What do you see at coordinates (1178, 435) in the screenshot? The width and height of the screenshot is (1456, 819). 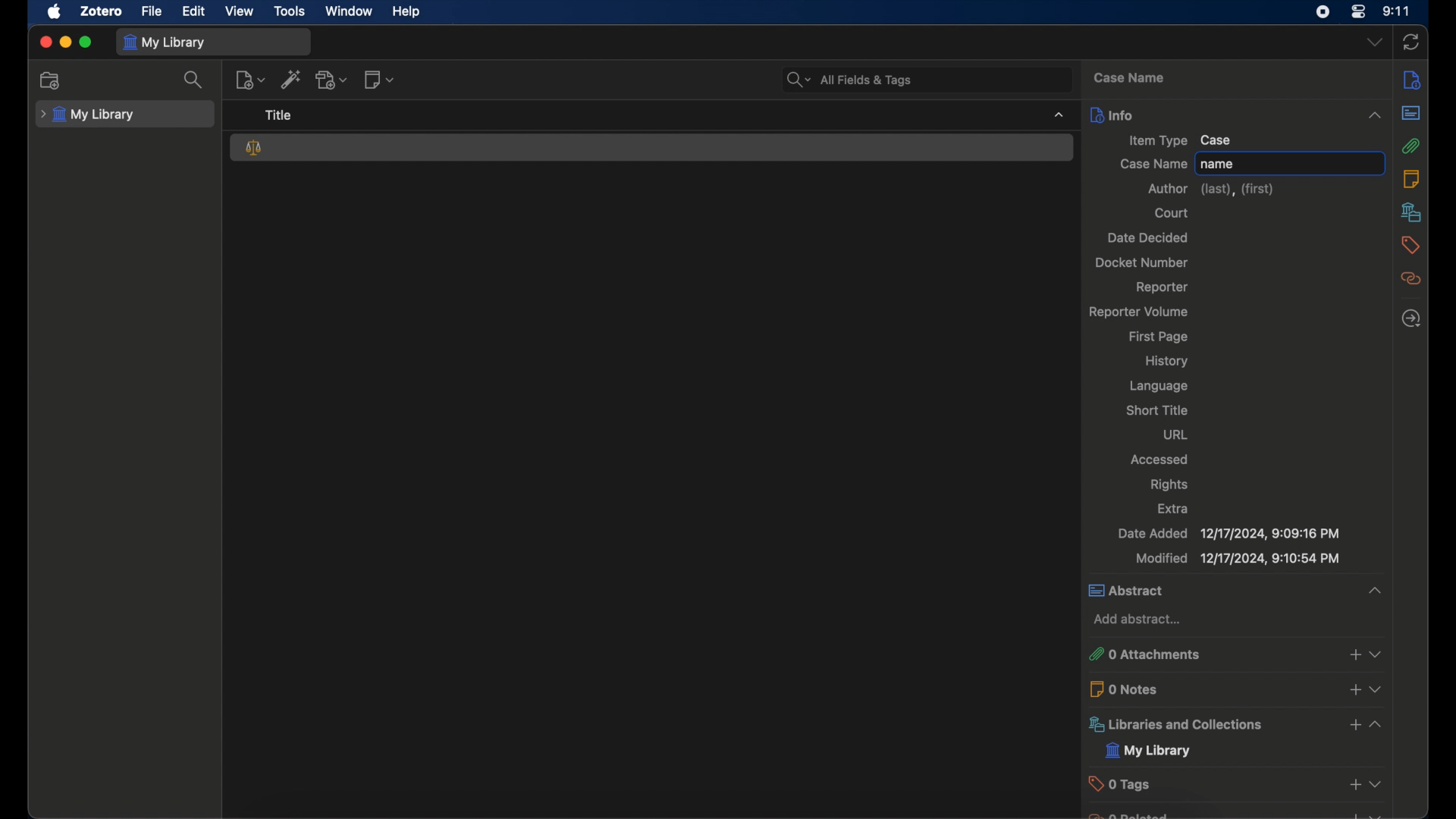 I see `url` at bounding box center [1178, 435].